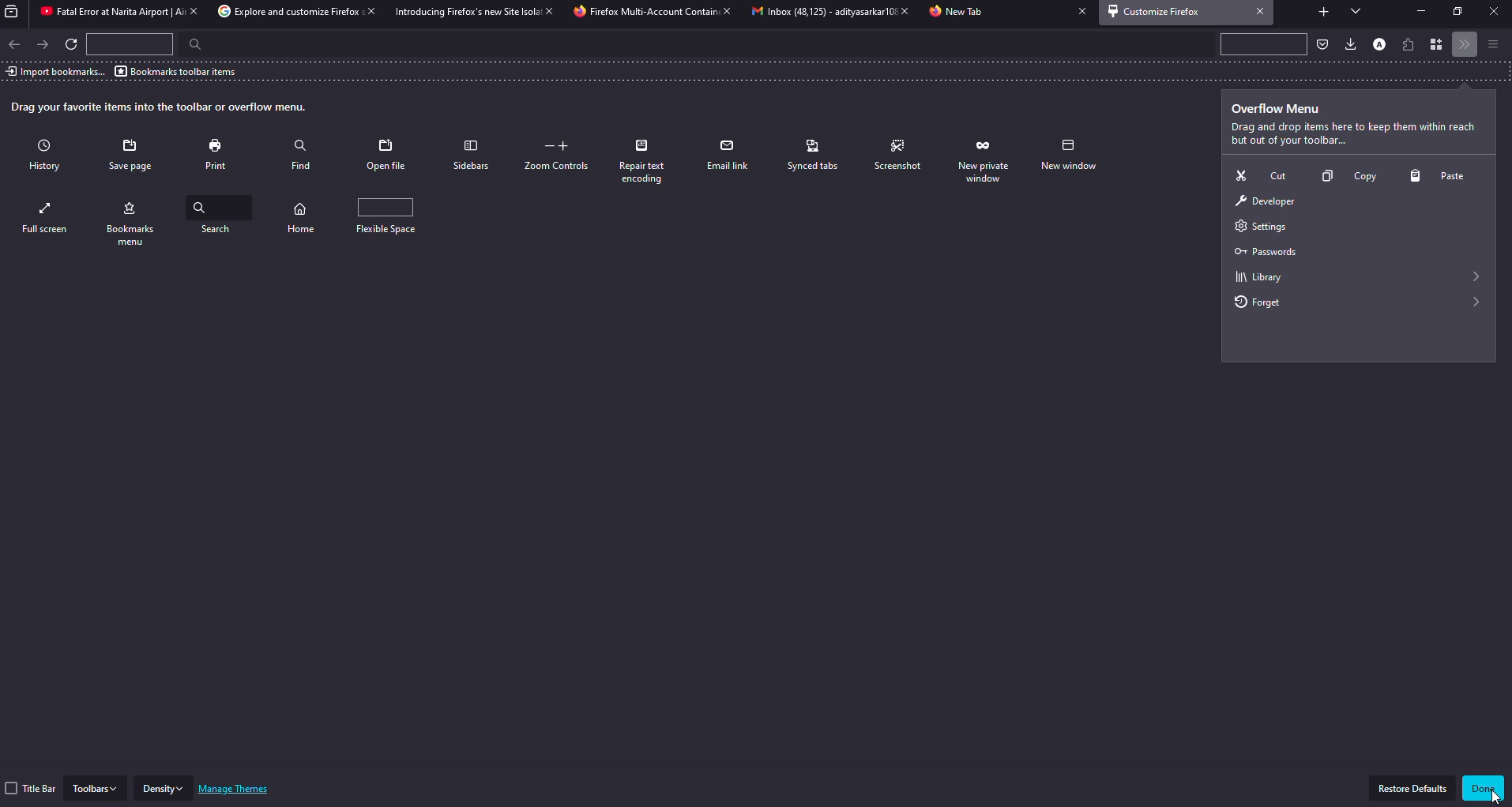 Image resolution: width=1512 pixels, height=807 pixels. Describe the element at coordinates (900, 156) in the screenshot. I see `screenshot` at that location.